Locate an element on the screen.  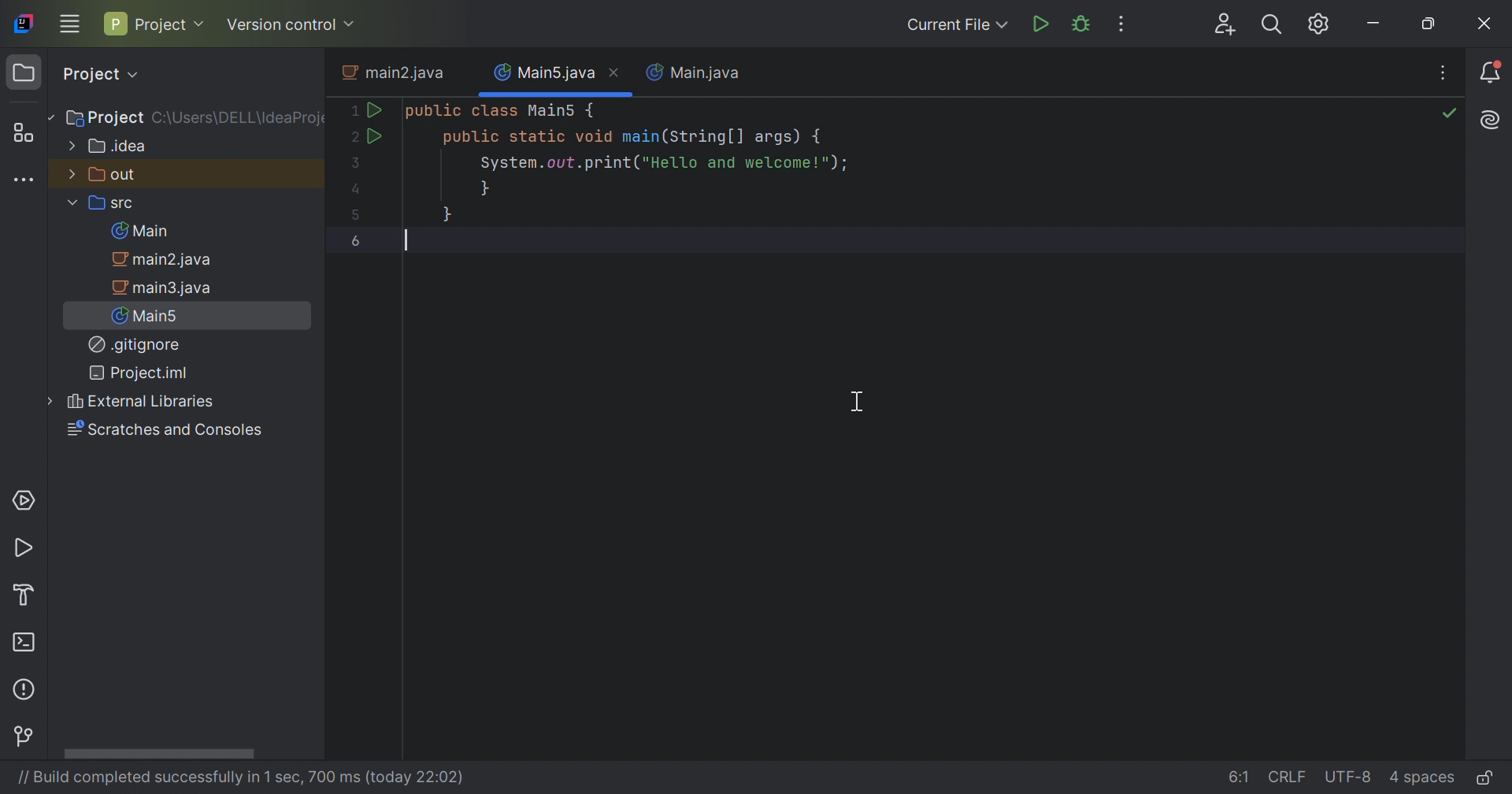
6 is located at coordinates (357, 240).